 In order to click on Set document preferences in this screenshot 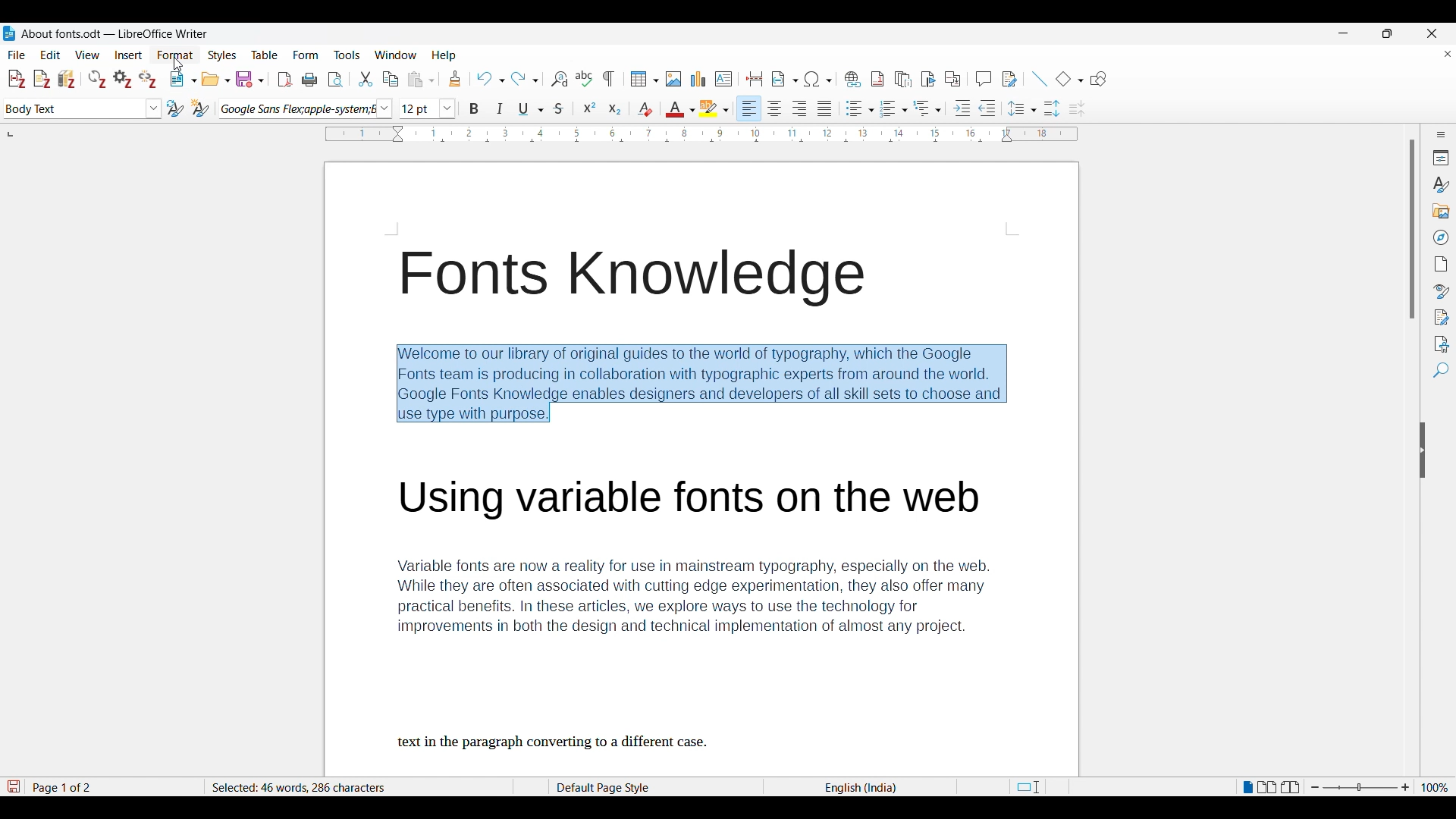, I will do `click(122, 79)`.